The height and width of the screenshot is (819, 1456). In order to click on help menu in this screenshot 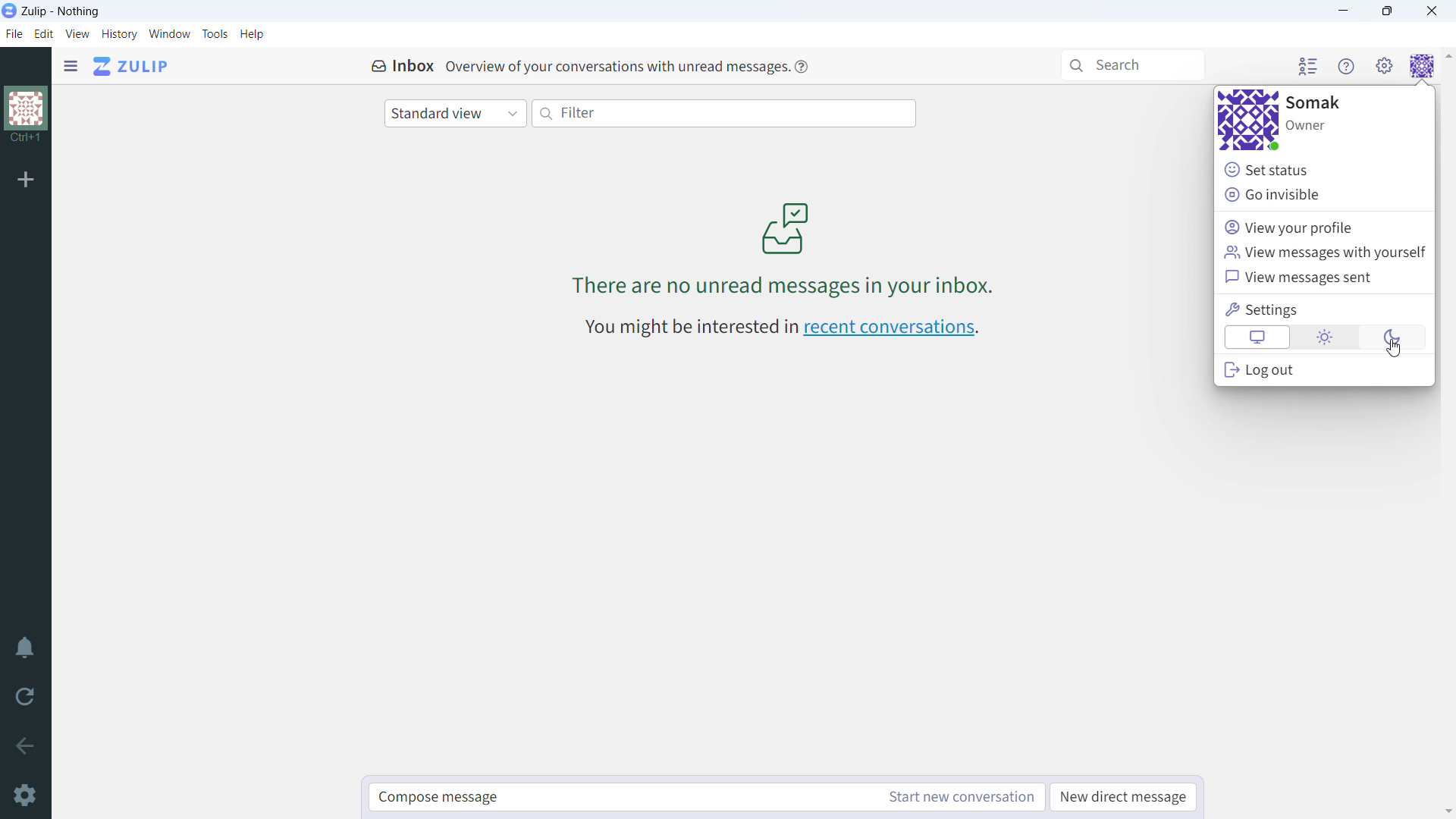, I will do `click(1347, 65)`.